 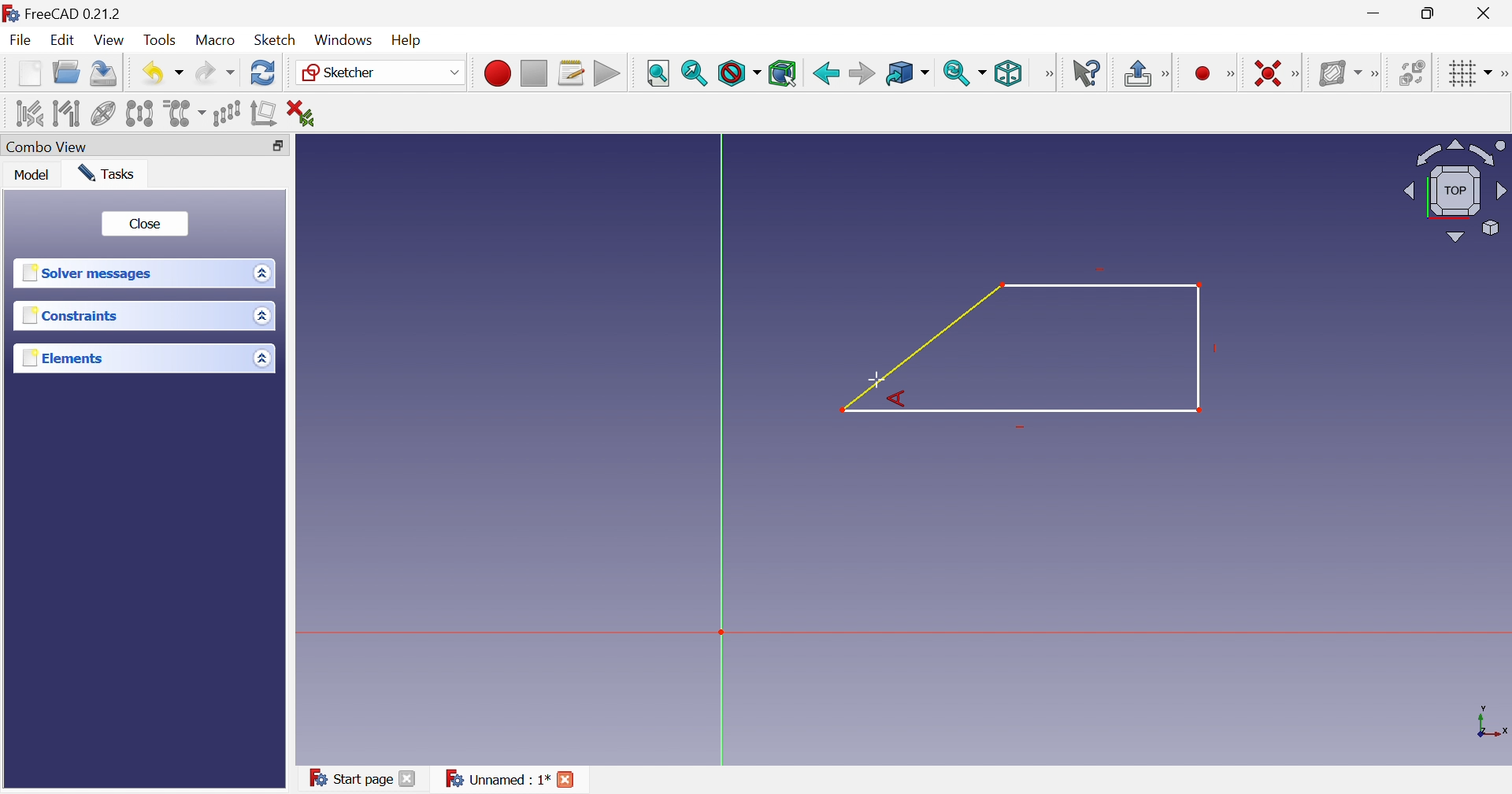 What do you see at coordinates (1411, 72) in the screenshot?
I see `Show virtual space` at bounding box center [1411, 72].